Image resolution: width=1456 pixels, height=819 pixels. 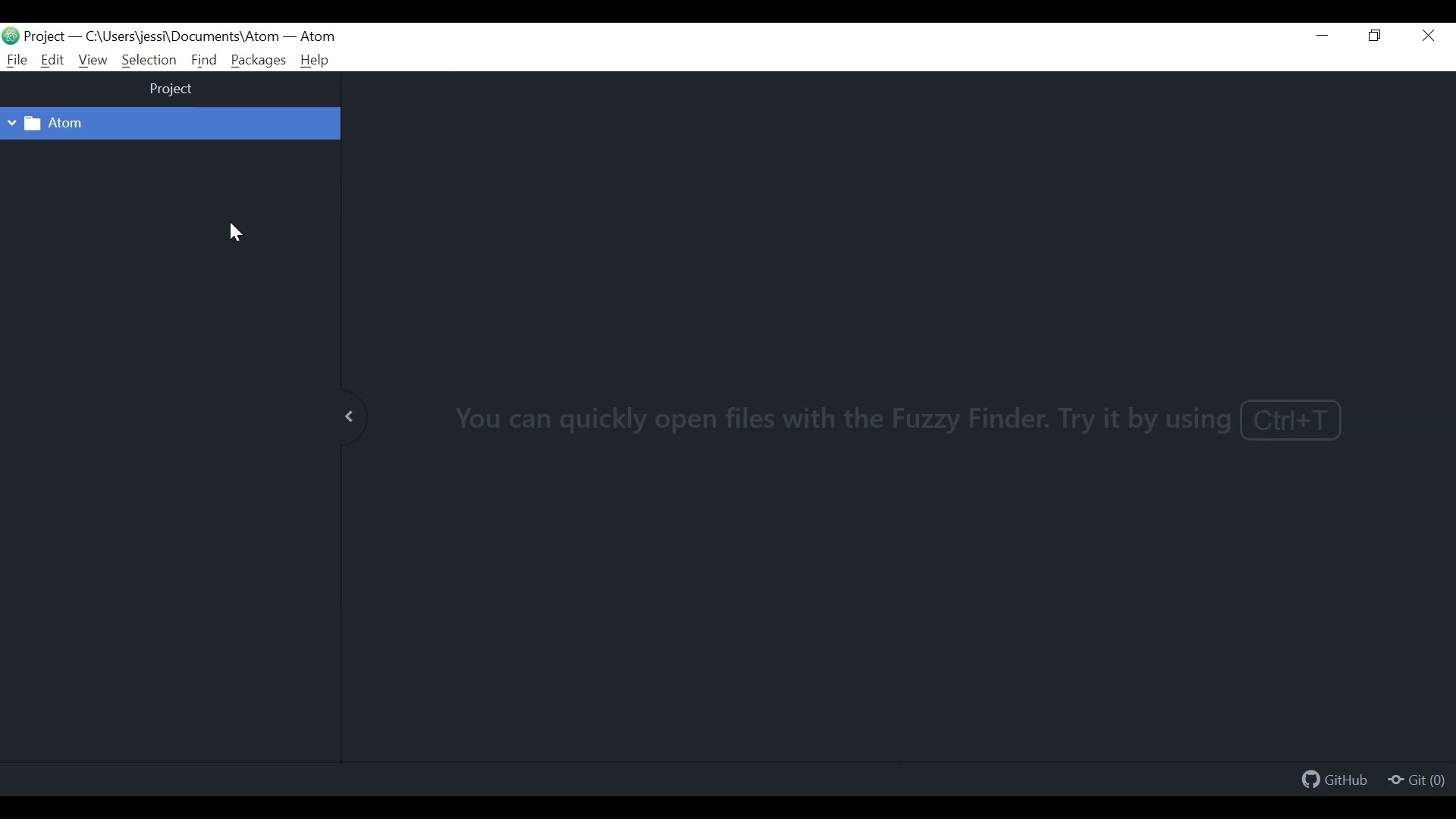 I want to click on you can quickly open files with the fuzzy finder. try it by using Ctrl+T, so click(x=896, y=420).